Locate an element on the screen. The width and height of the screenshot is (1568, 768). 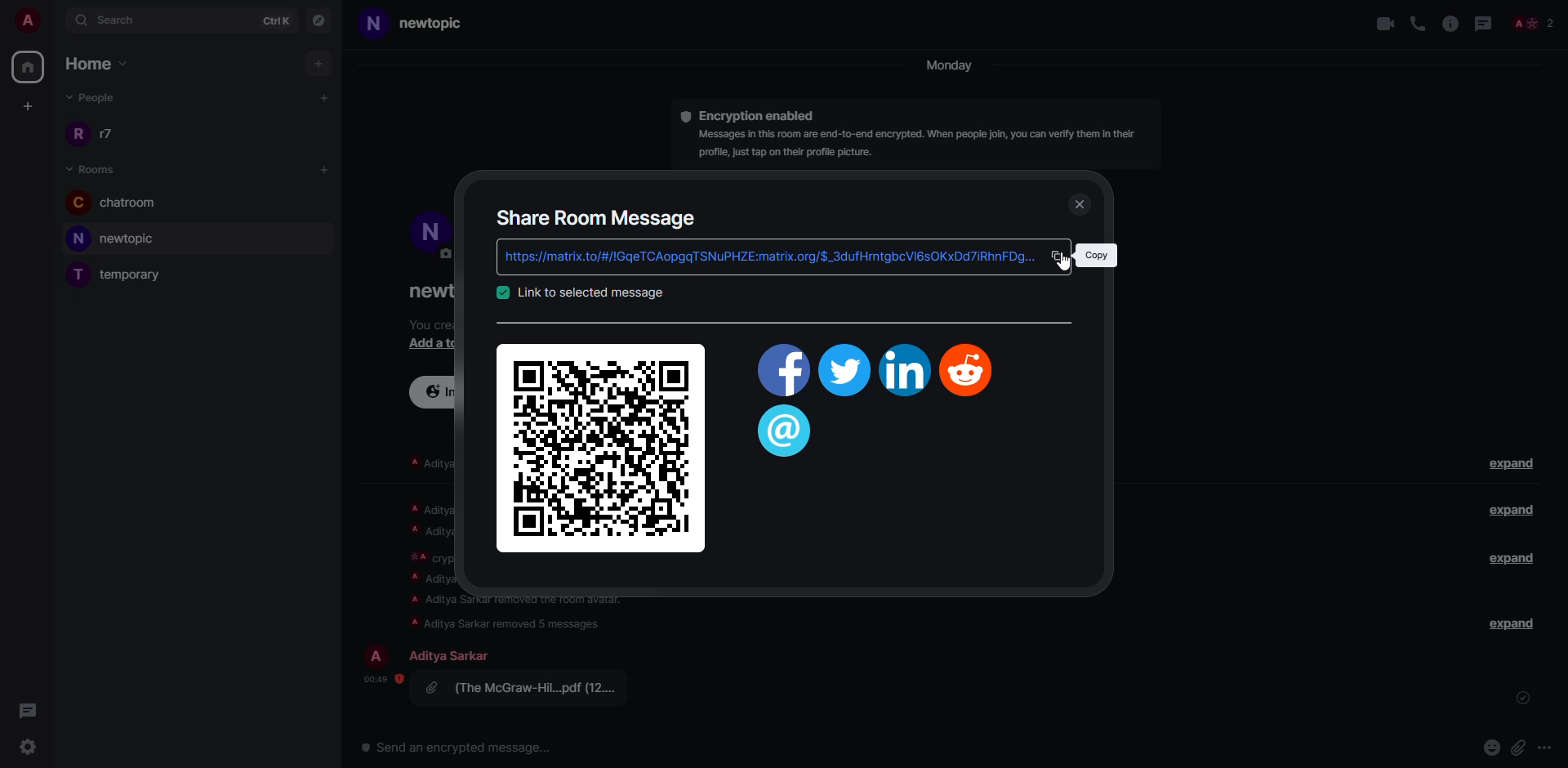
twitter is located at coordinates (844, 373).